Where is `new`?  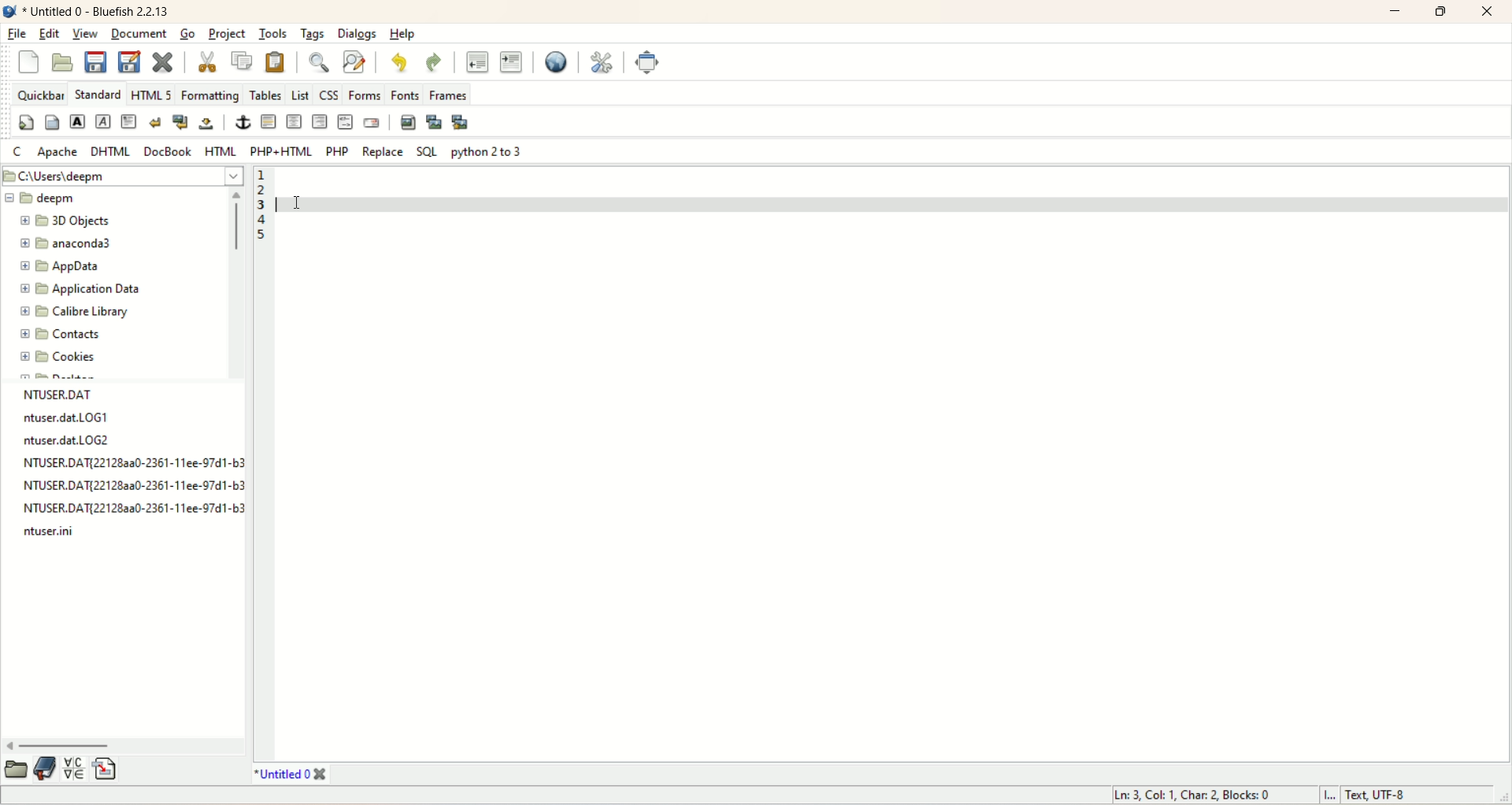 new is located at coordinates (29, 61).